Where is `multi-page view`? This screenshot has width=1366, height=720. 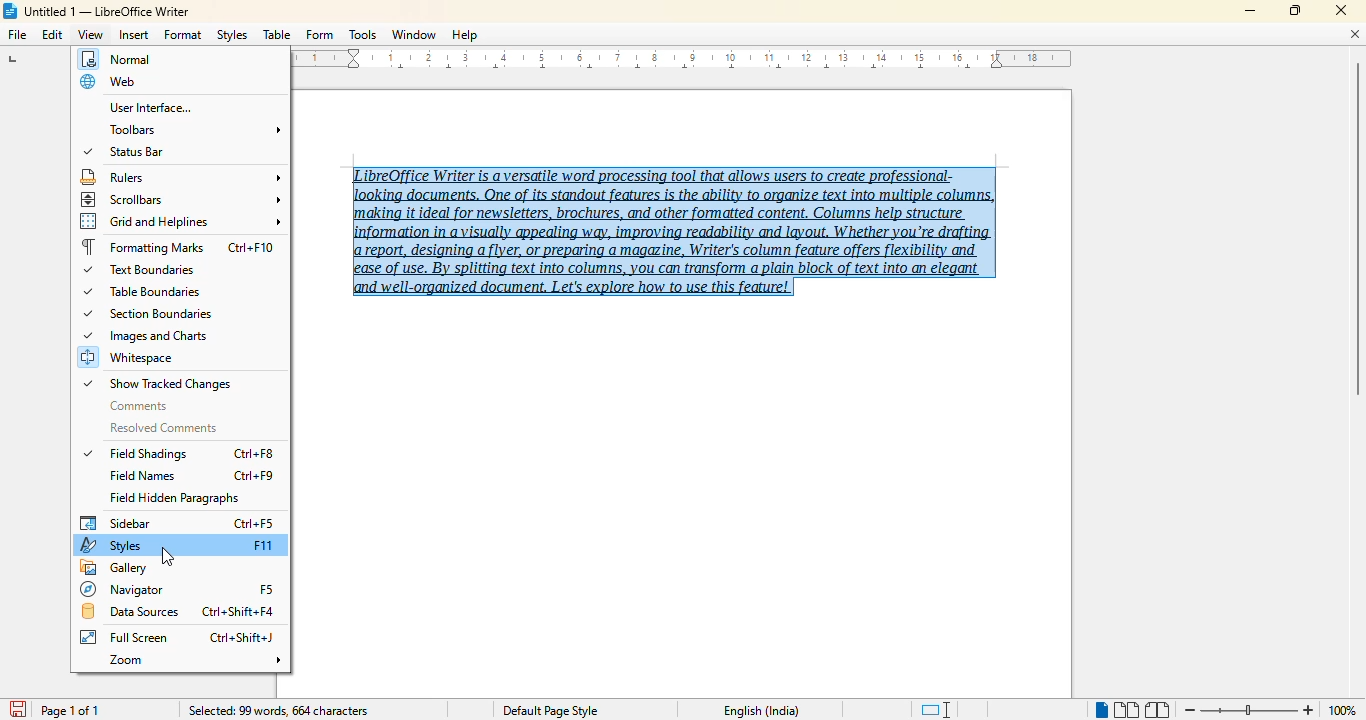 multi-page view is located at coordinates (1125, 709).